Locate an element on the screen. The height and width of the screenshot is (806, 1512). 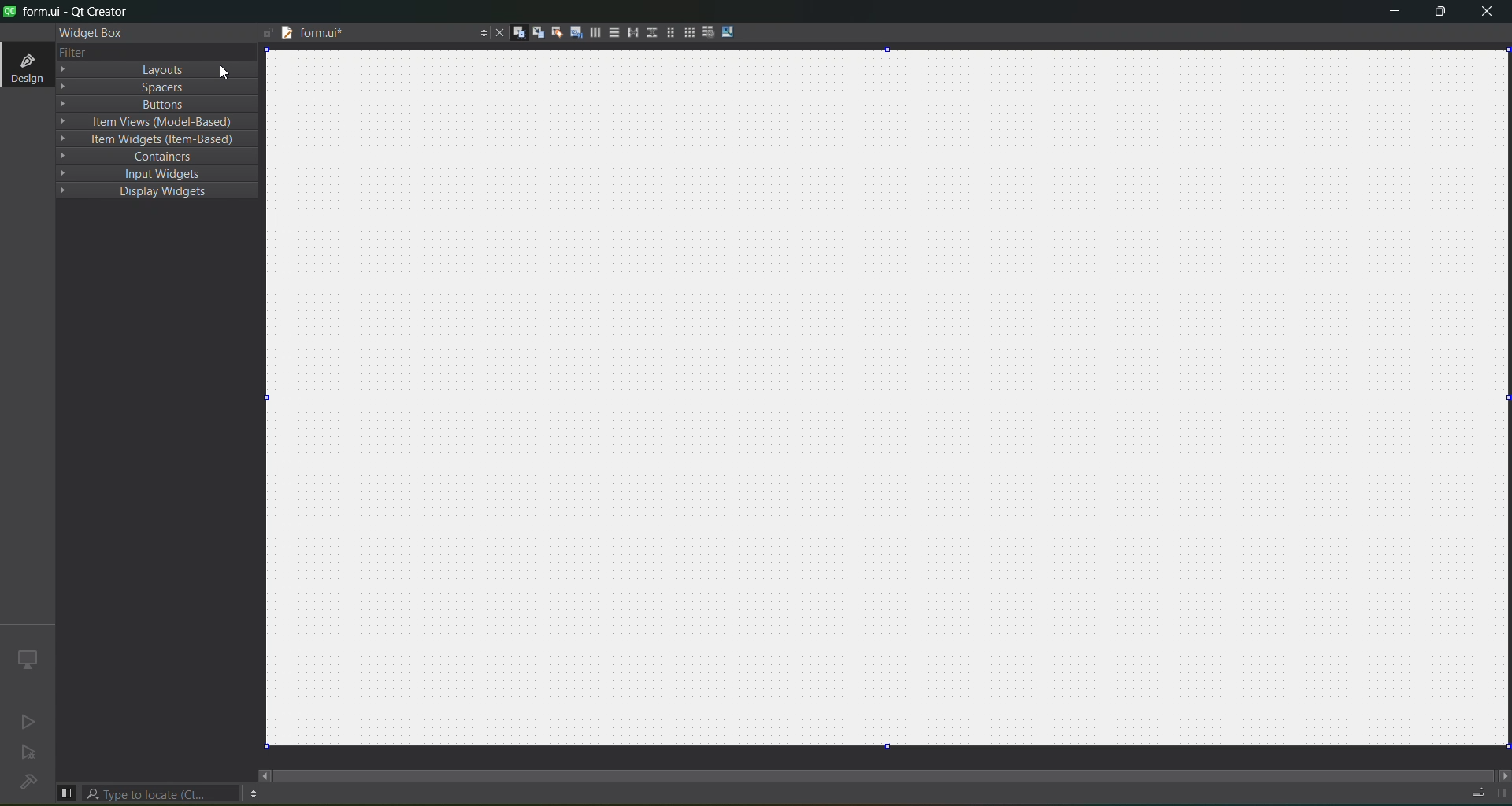
show/hide left pane is located at coordinates (66, 792).